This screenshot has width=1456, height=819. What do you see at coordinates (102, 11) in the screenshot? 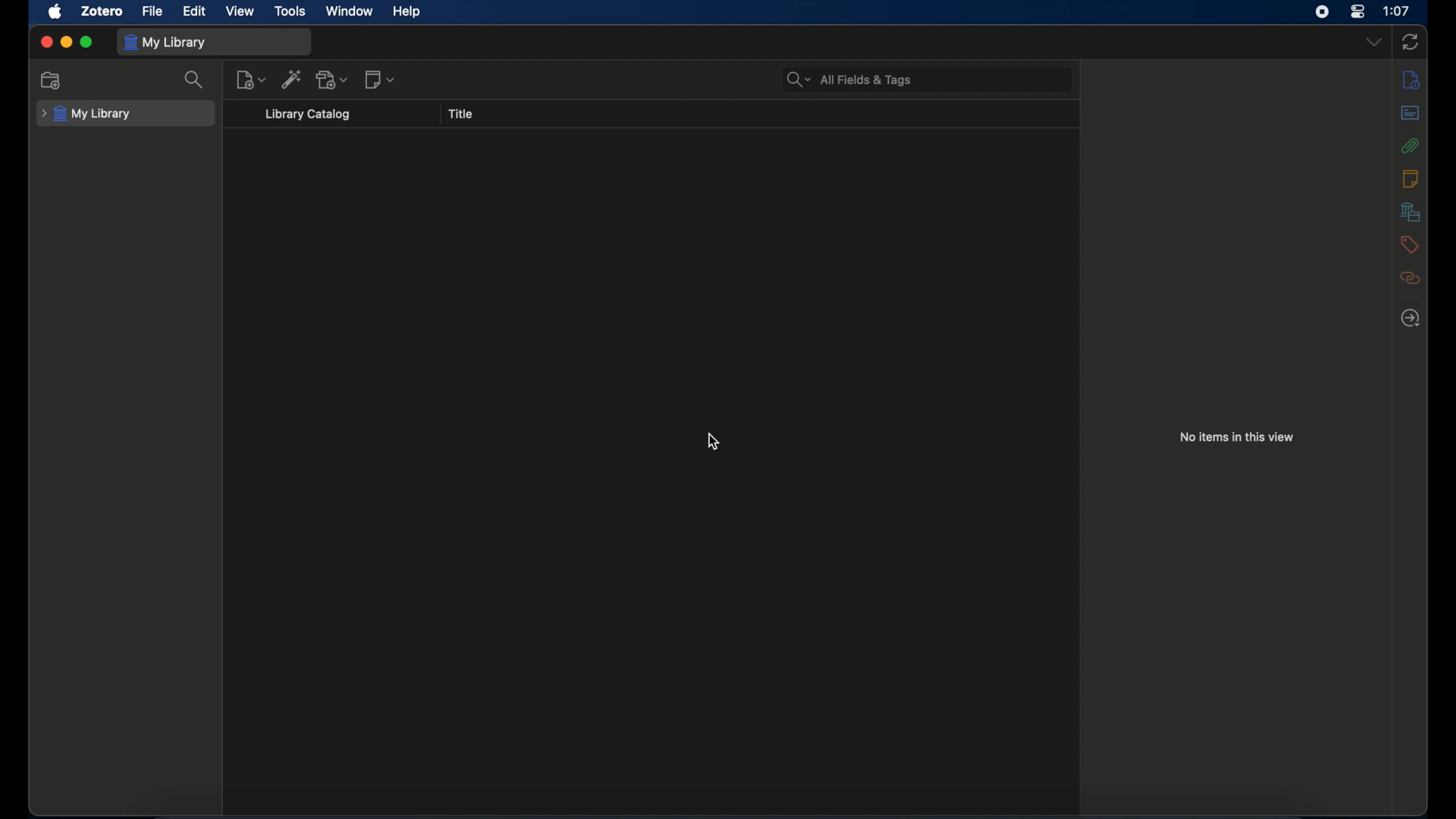
I see `zotero` at bounding box center [102, 11].